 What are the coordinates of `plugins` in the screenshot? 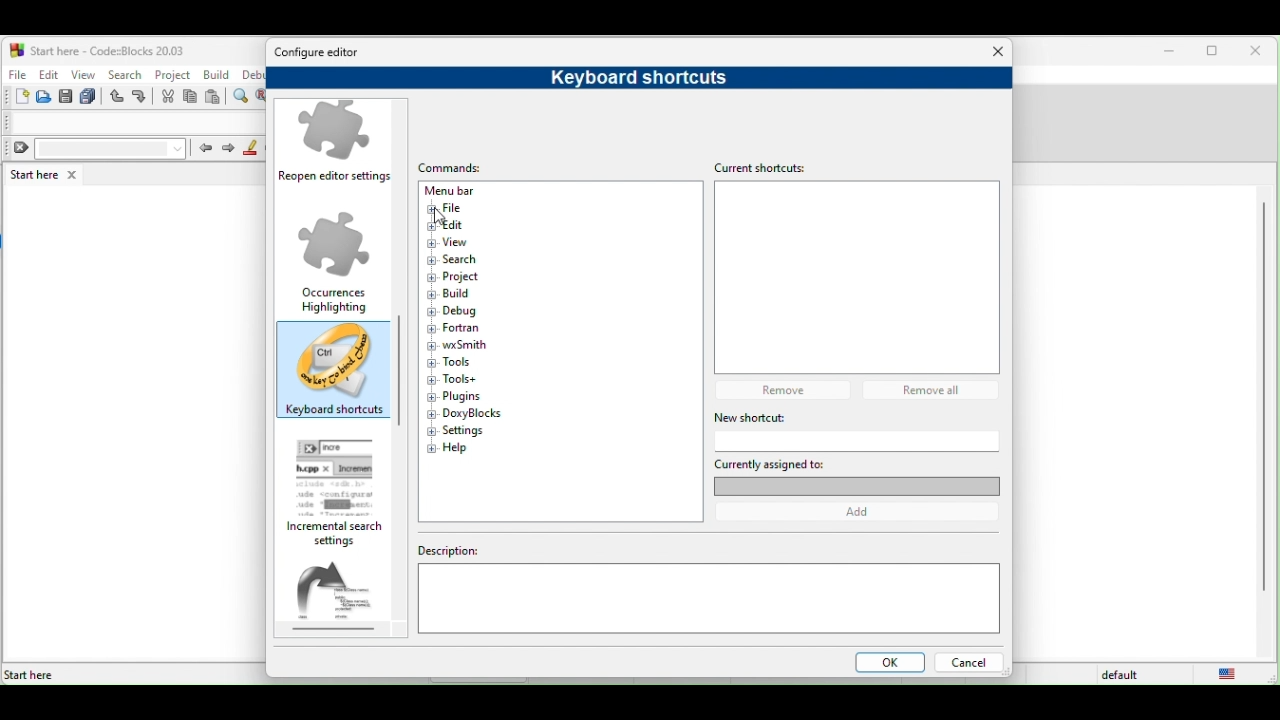 It's located at (456, 396).